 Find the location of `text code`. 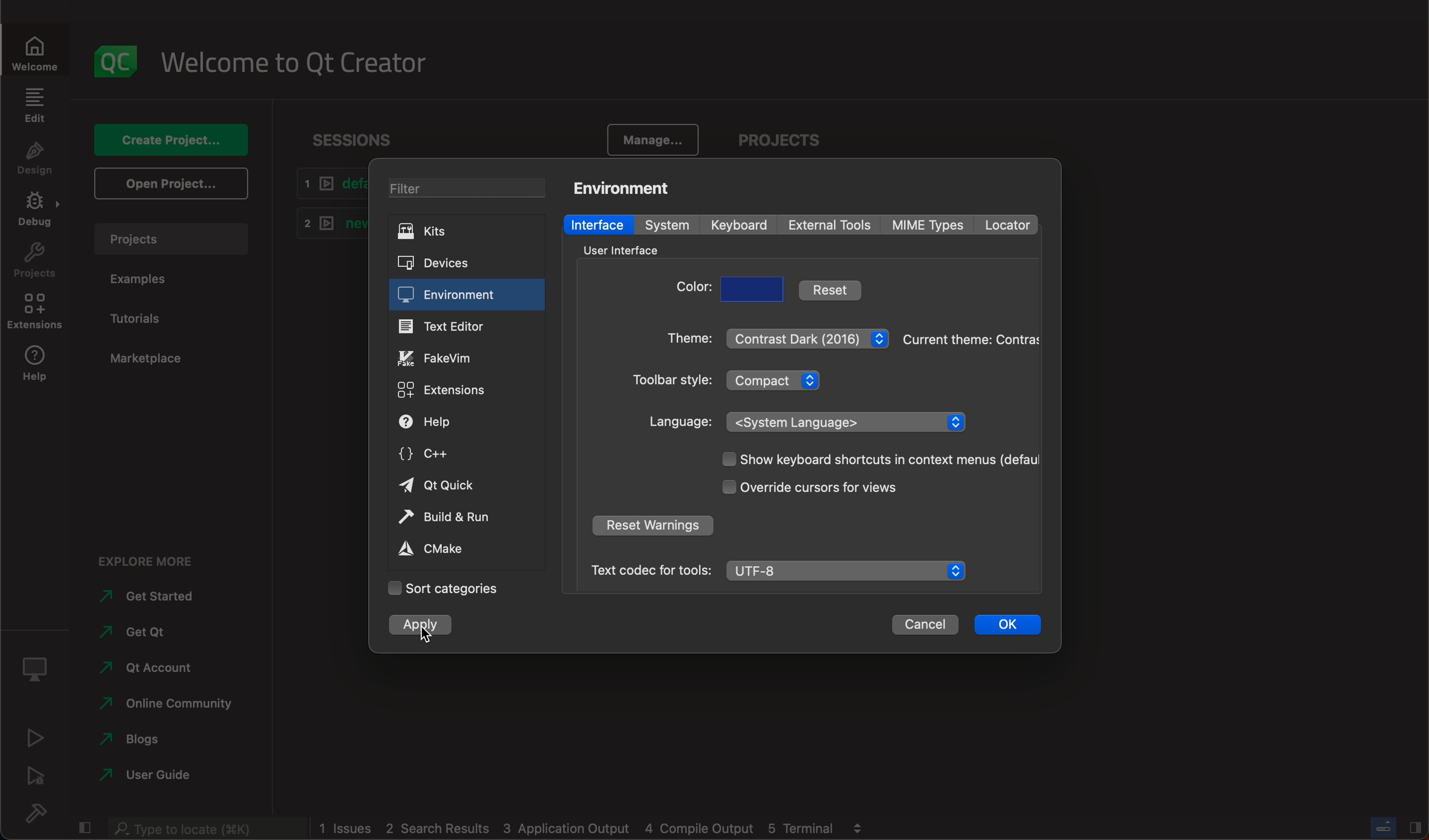

text code is located at coordinates (650, 570).